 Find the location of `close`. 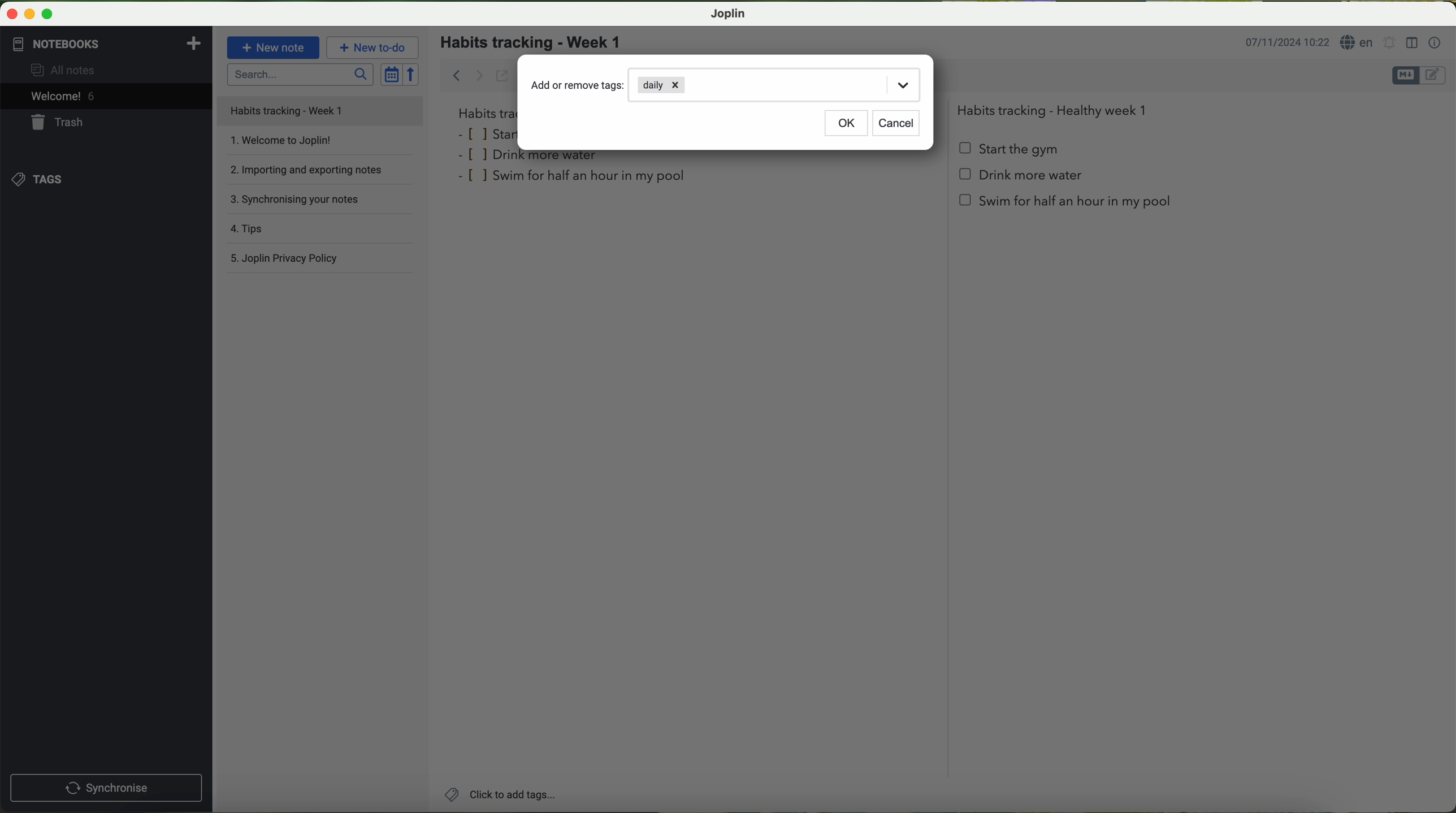

close is located at coordinates (9, 12).